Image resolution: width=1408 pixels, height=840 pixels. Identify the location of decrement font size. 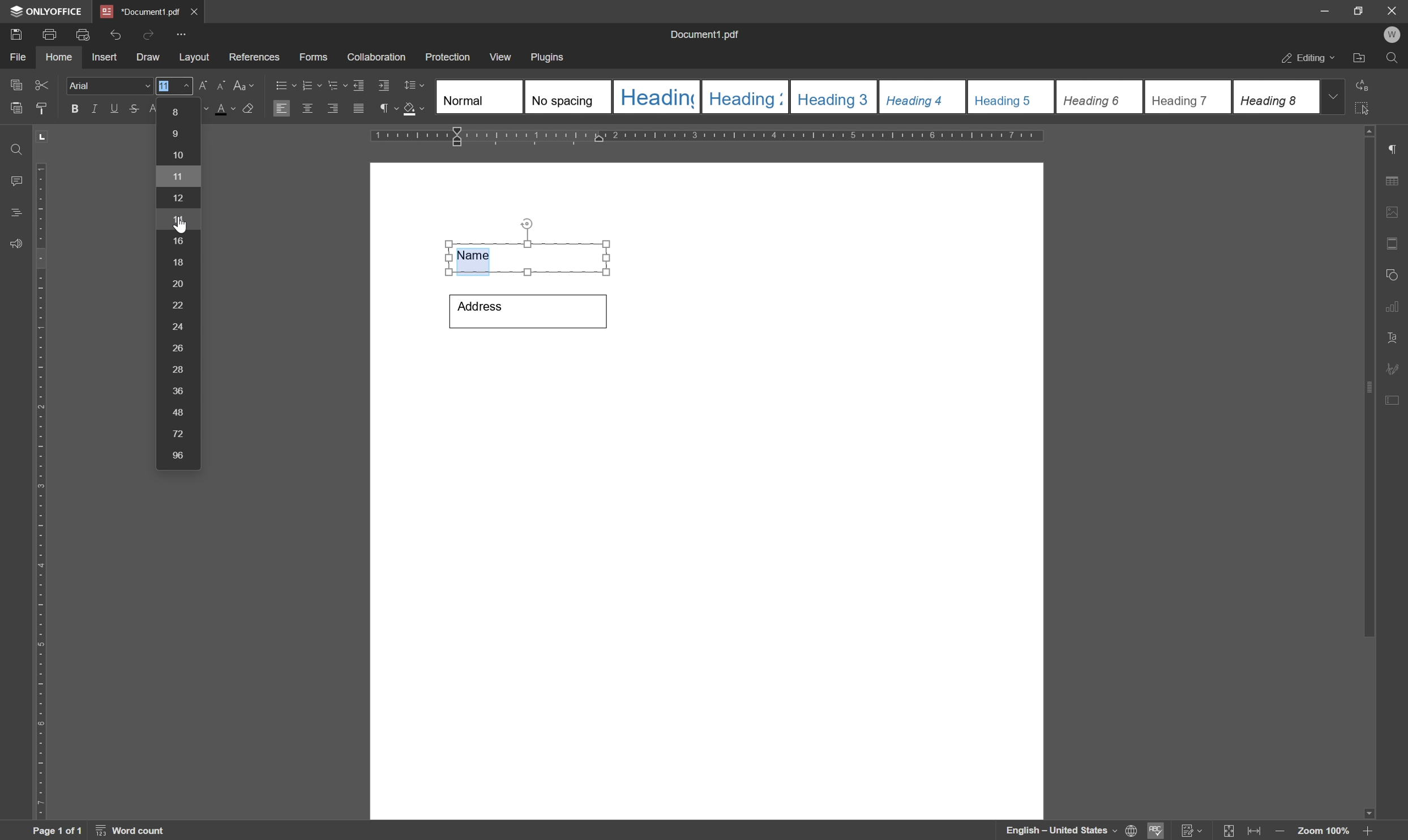
(219, 87).